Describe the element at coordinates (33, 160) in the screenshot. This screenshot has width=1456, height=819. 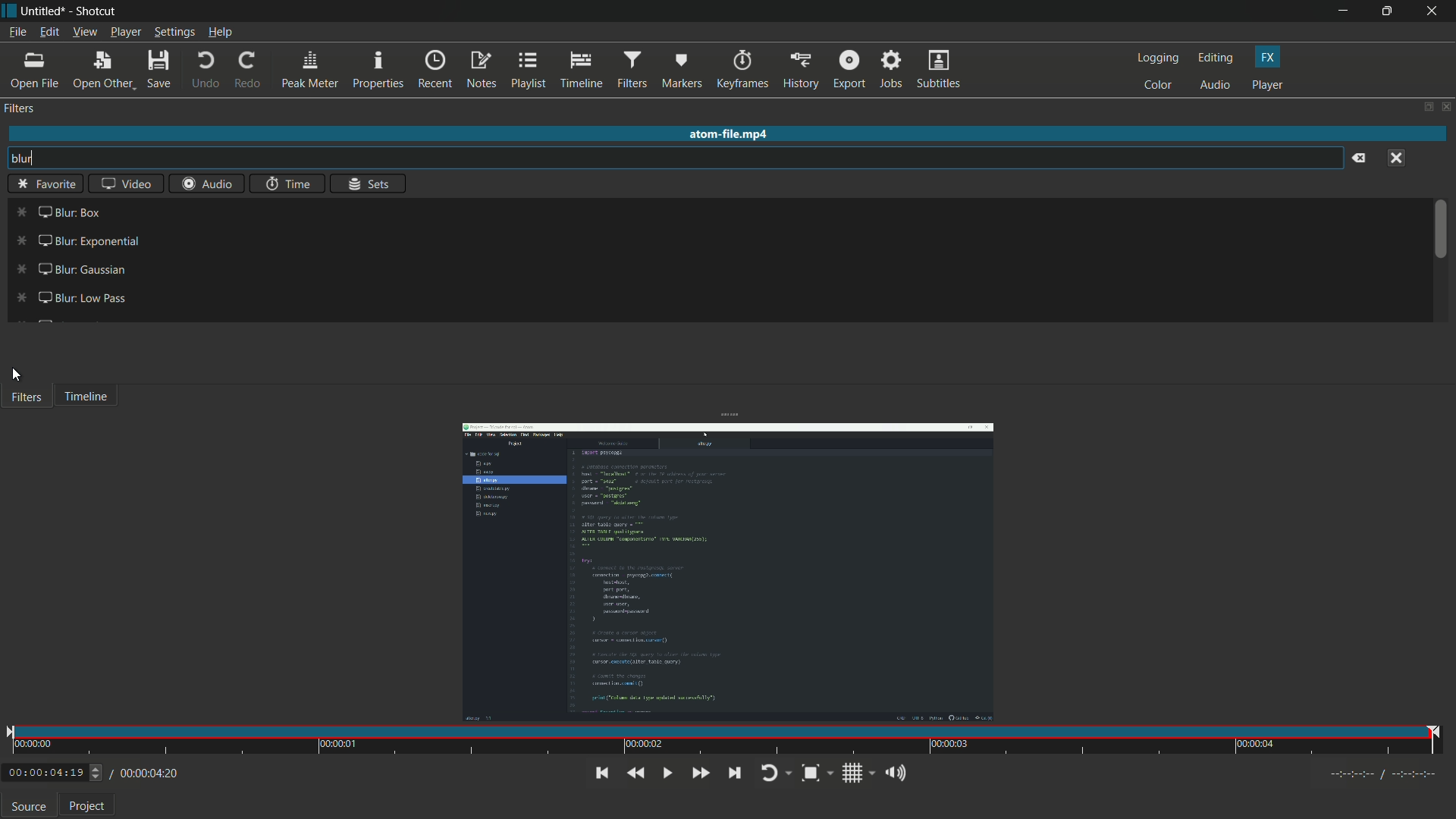
I see `blur (typing)` at that location.